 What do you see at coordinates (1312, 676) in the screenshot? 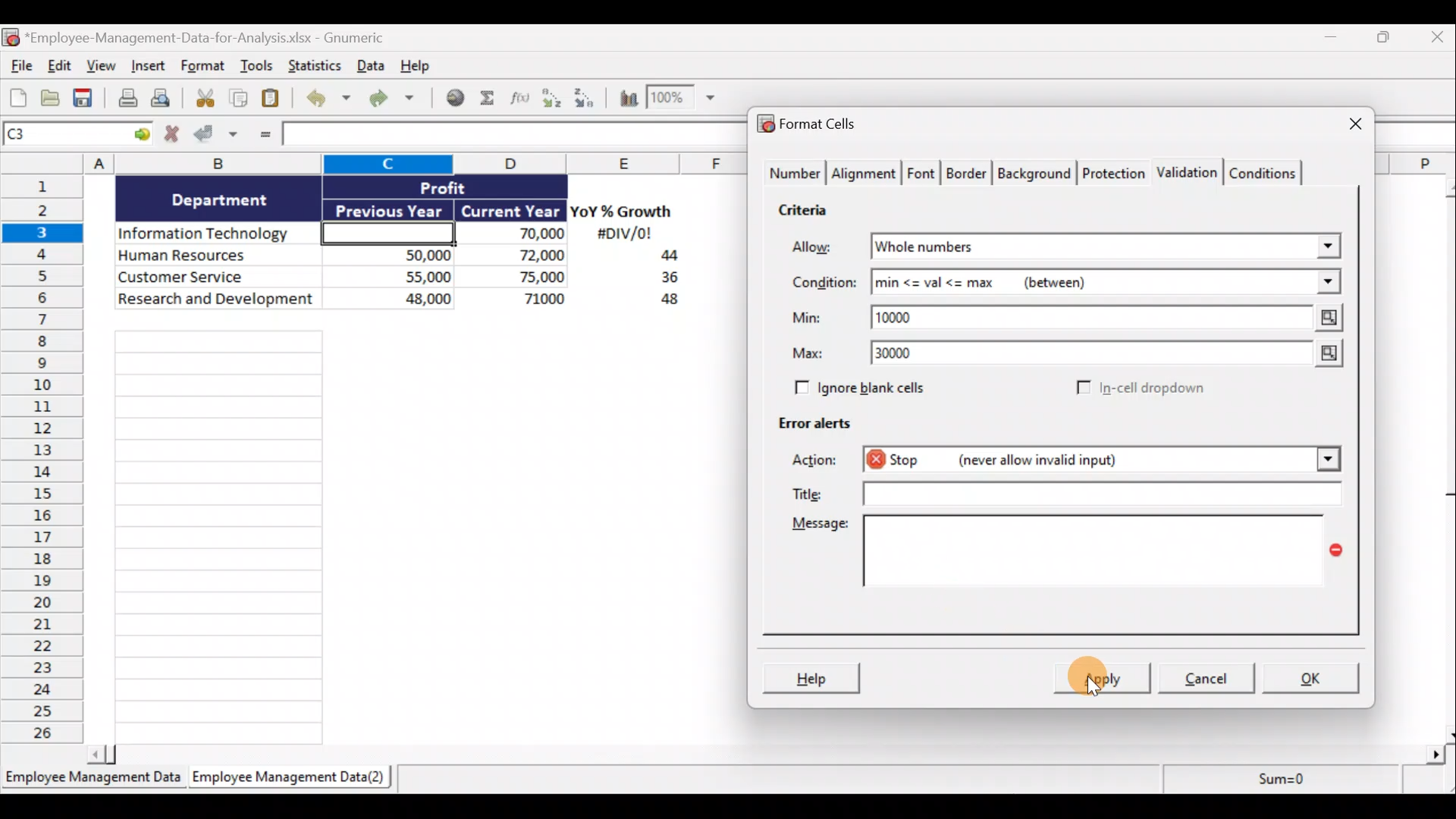
I see `OK` at bounding box center [1312, 676].